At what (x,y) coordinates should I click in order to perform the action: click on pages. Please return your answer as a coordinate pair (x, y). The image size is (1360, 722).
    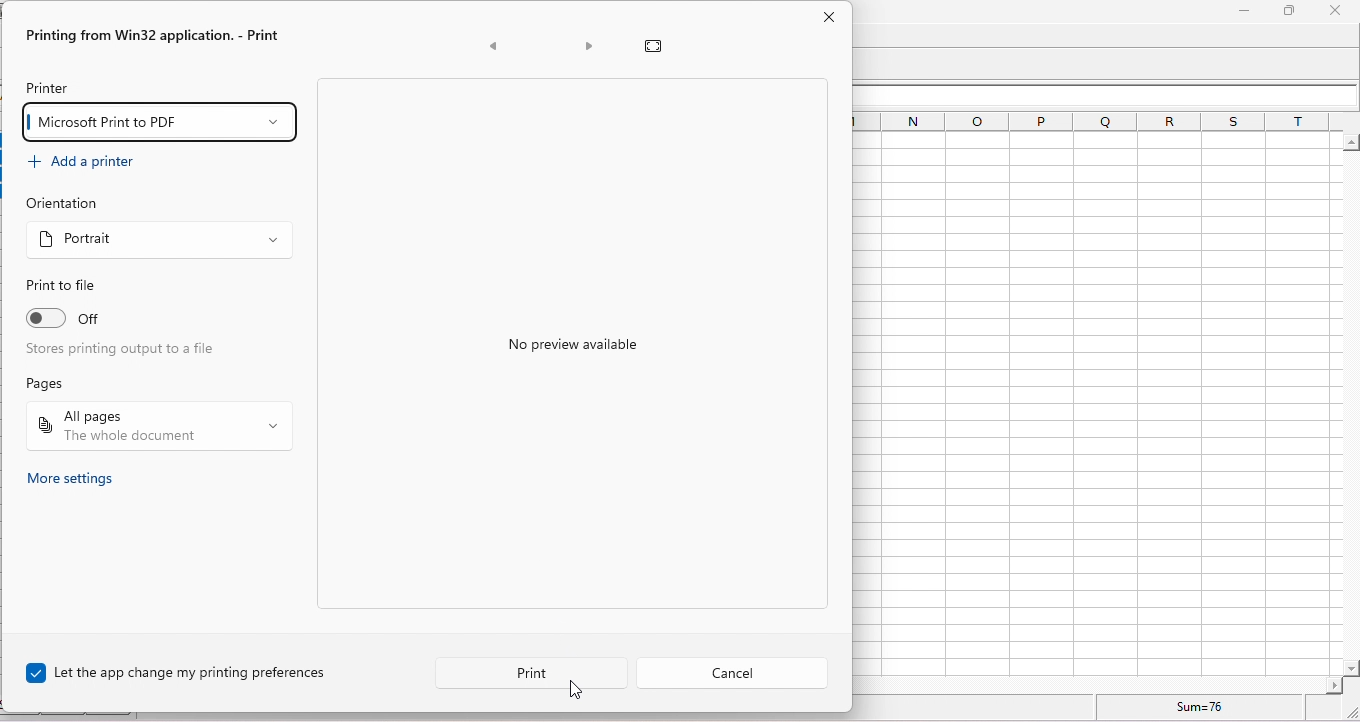
    Looking at the image, I should click on (54, 383).